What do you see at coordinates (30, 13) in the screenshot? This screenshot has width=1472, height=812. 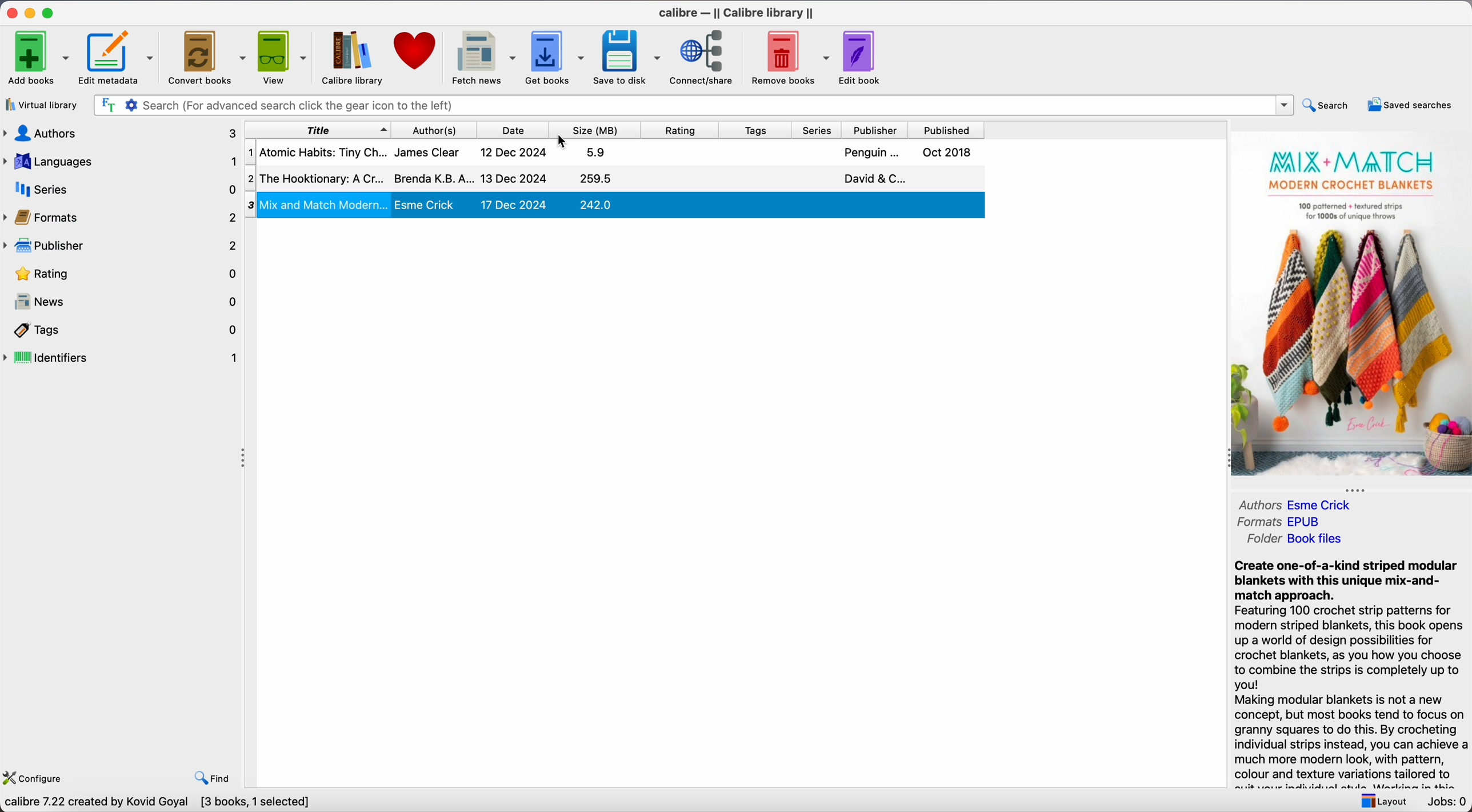 I see `minimize` at bounding box center [30, 13].